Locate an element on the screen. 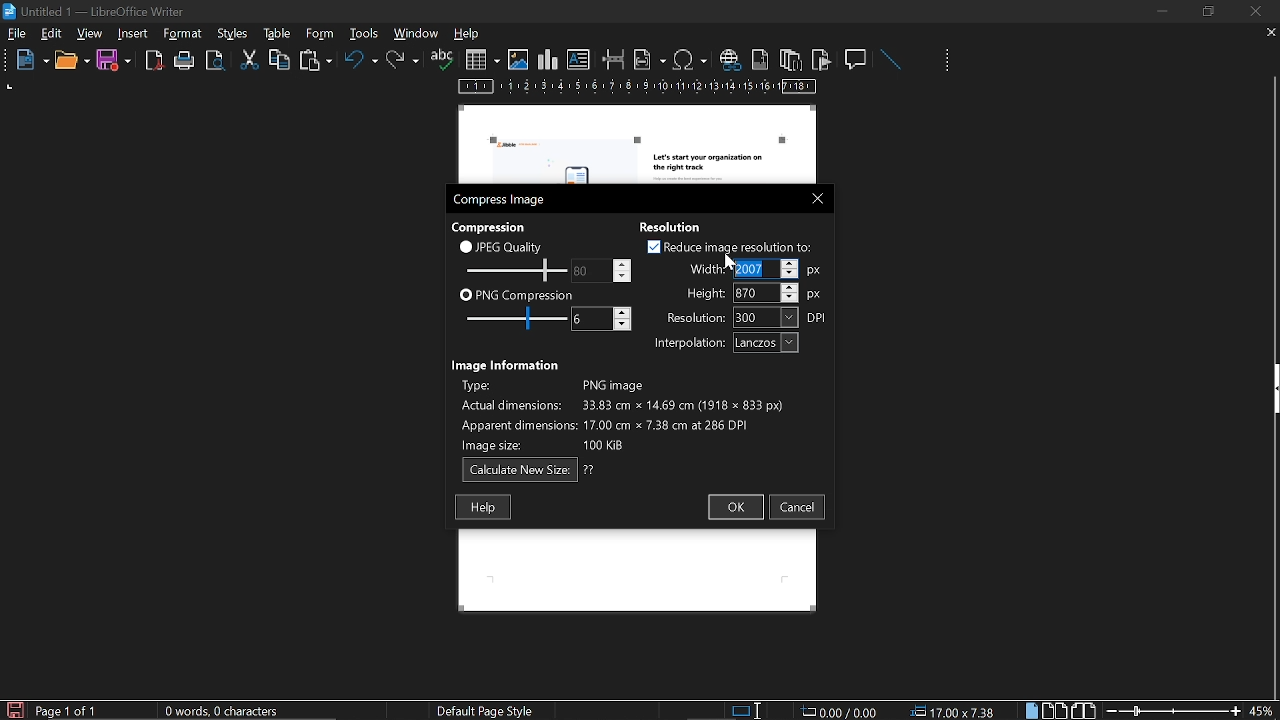 The height and width of the screenshot is (720, 1280). styles is located at coordinates (274, 33).